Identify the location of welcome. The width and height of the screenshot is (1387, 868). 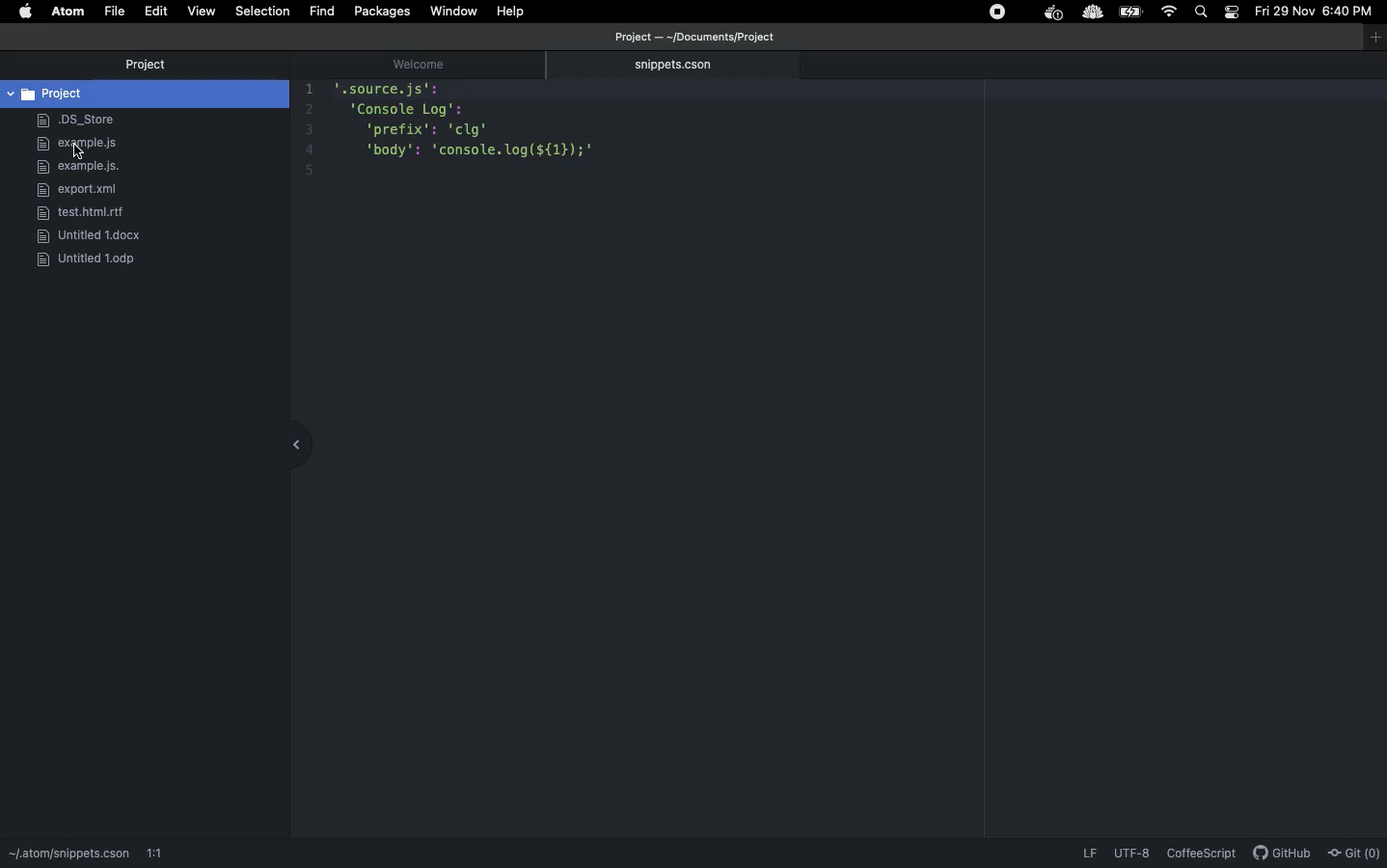
(432, 64).